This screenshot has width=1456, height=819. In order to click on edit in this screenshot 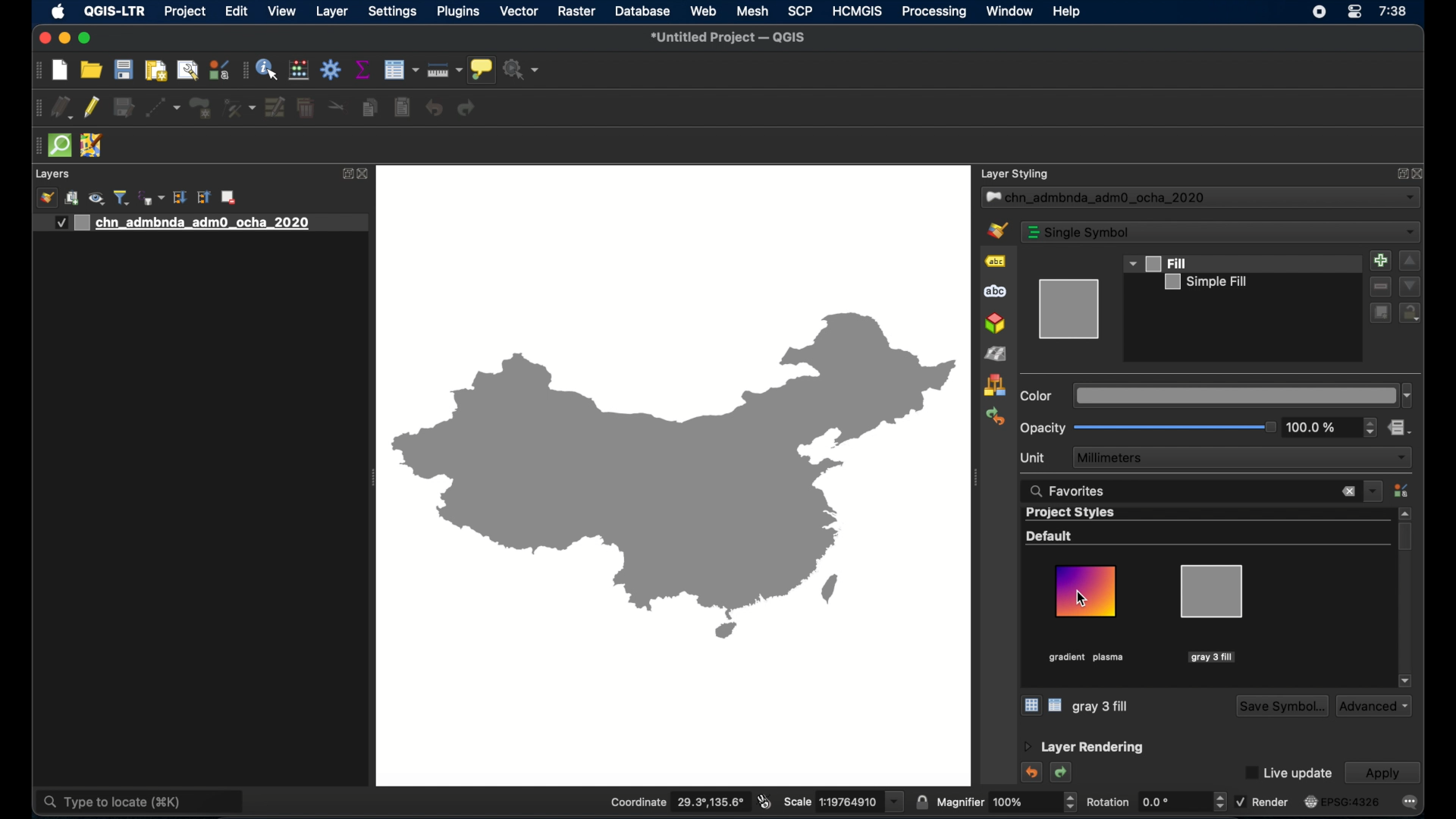, I will do `click(237, 11)`.